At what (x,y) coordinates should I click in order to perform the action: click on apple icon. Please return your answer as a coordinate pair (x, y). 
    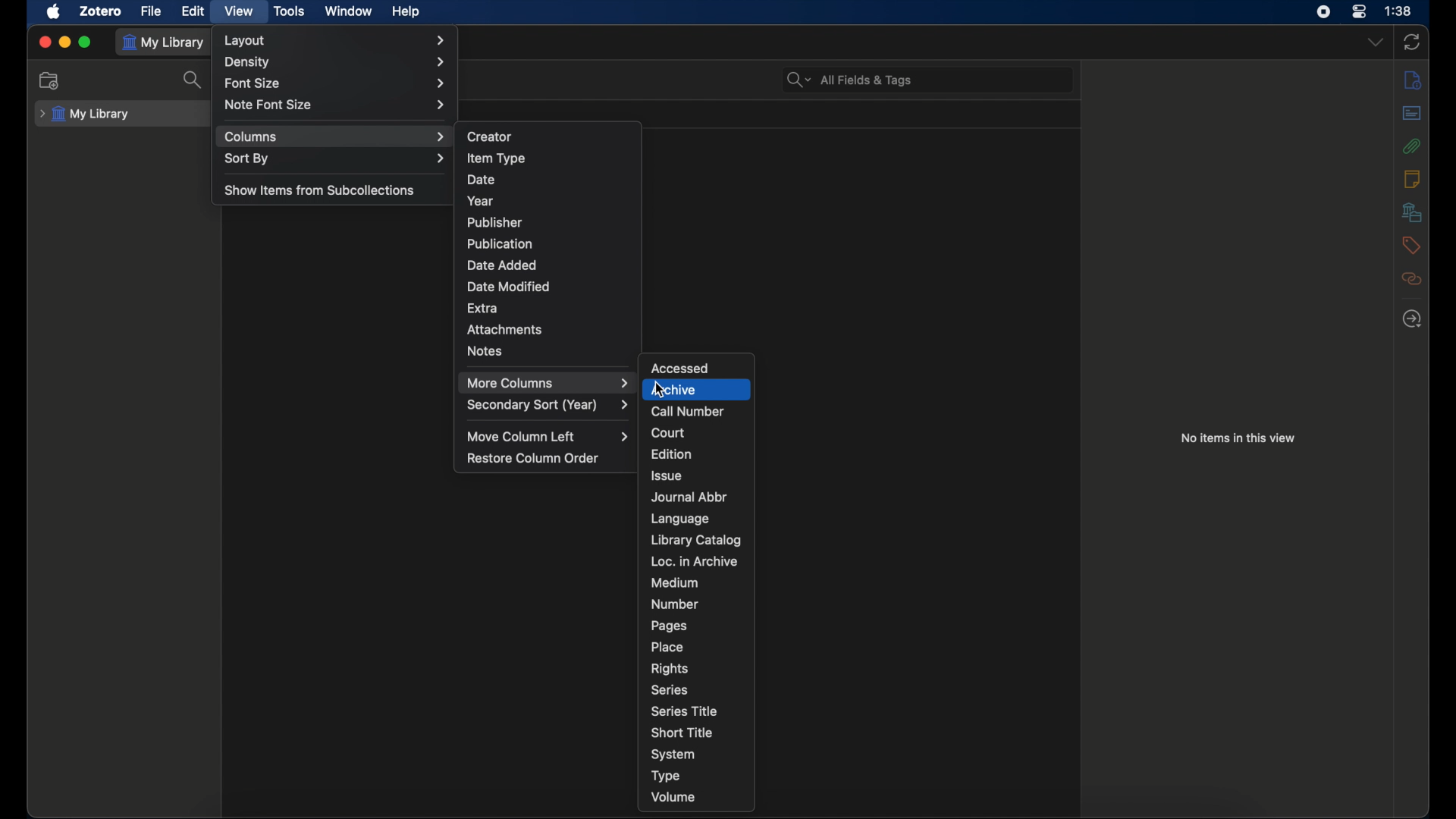
    Looking at the image, I should click on (55, 12).